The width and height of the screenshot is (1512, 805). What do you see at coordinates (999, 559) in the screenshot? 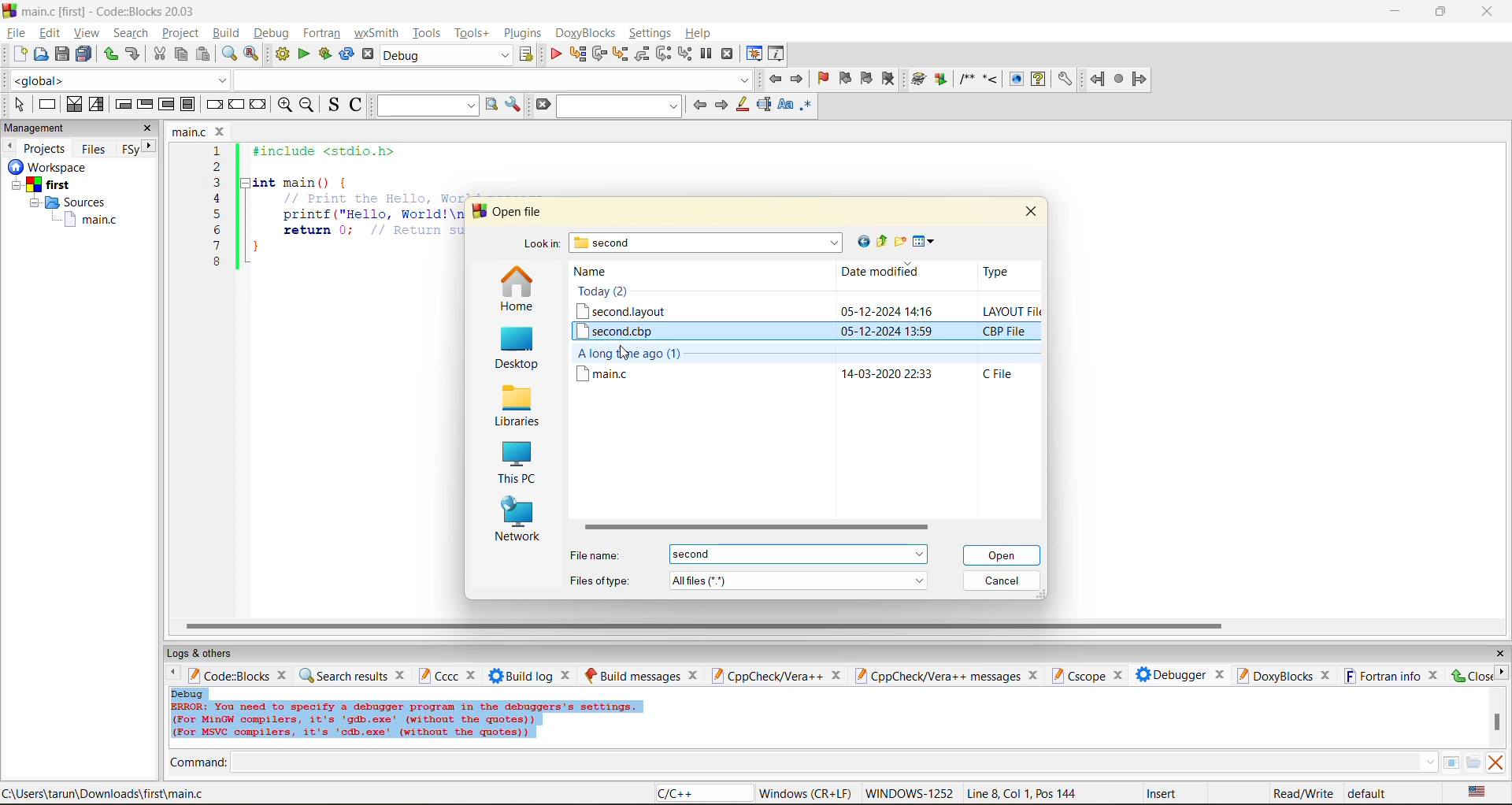
I see `cursor` at bounding box center [999, 559].